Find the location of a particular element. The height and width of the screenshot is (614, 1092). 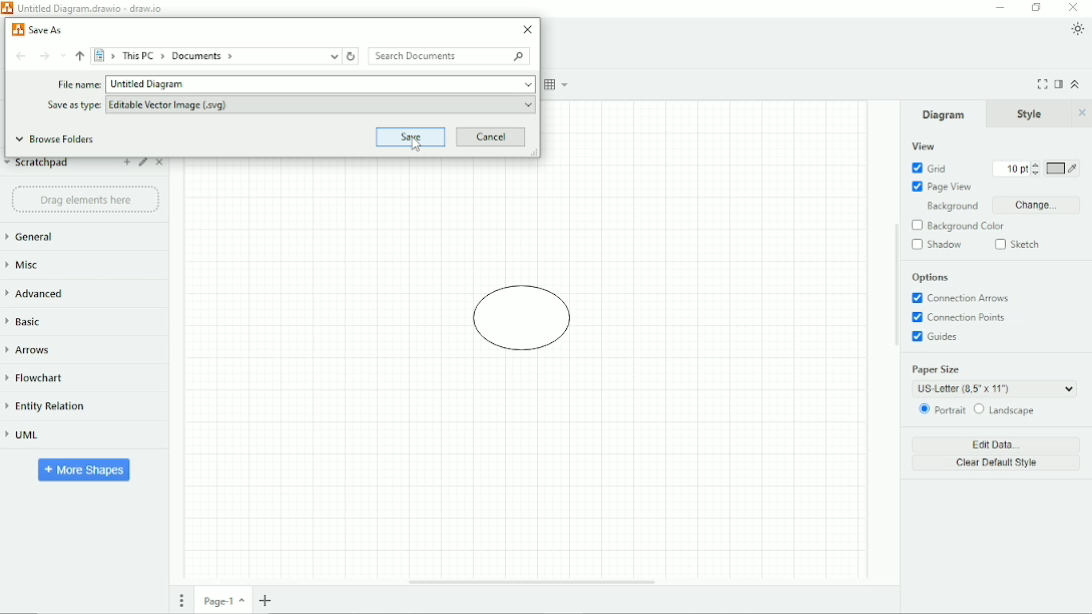

Drag element here is located at coordinates (85, 200).